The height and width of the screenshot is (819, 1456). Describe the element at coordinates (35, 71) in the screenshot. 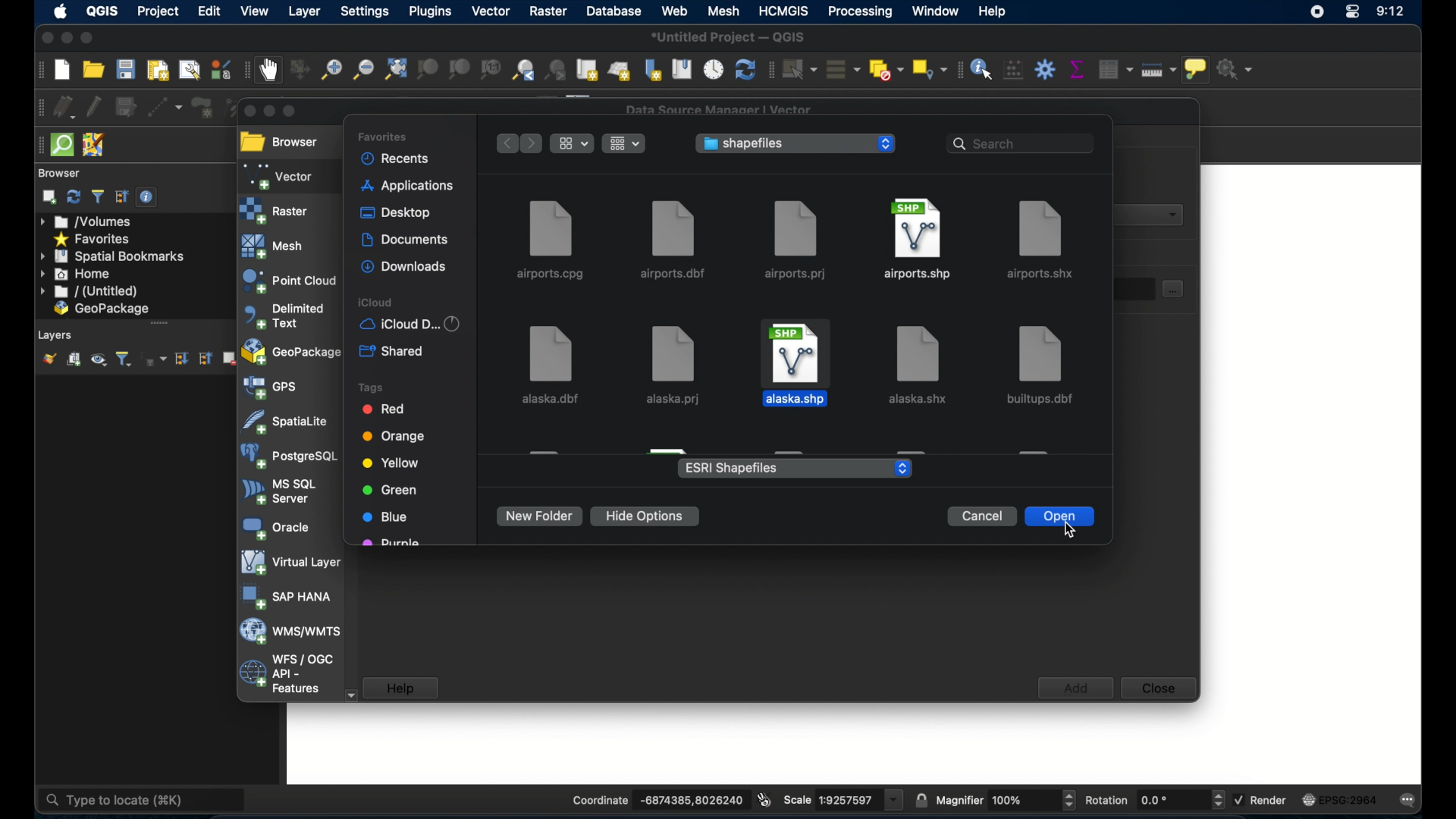

I see `project toolbar` at that location.